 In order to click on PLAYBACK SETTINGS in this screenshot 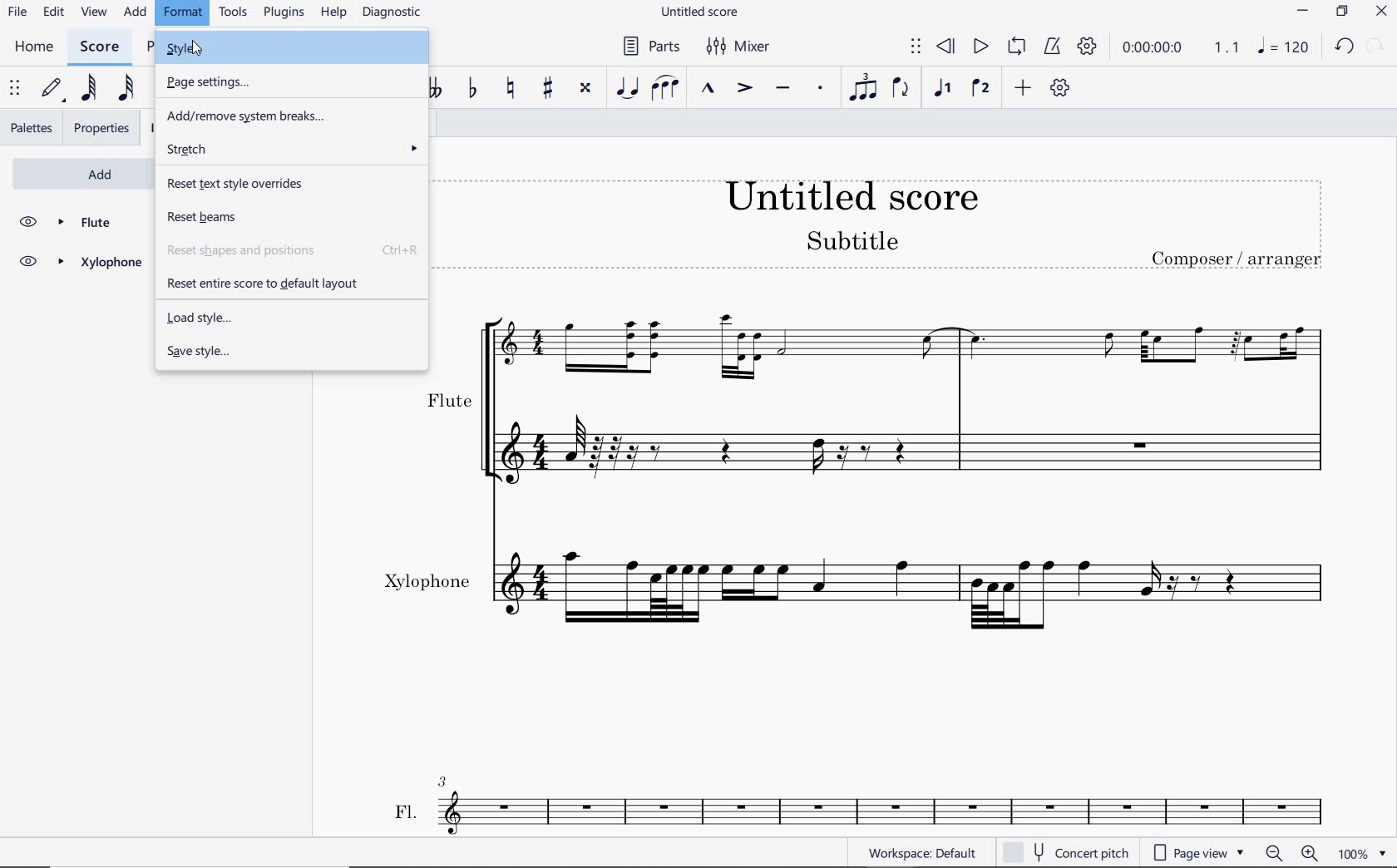, I will do `click(1087, 47)`.